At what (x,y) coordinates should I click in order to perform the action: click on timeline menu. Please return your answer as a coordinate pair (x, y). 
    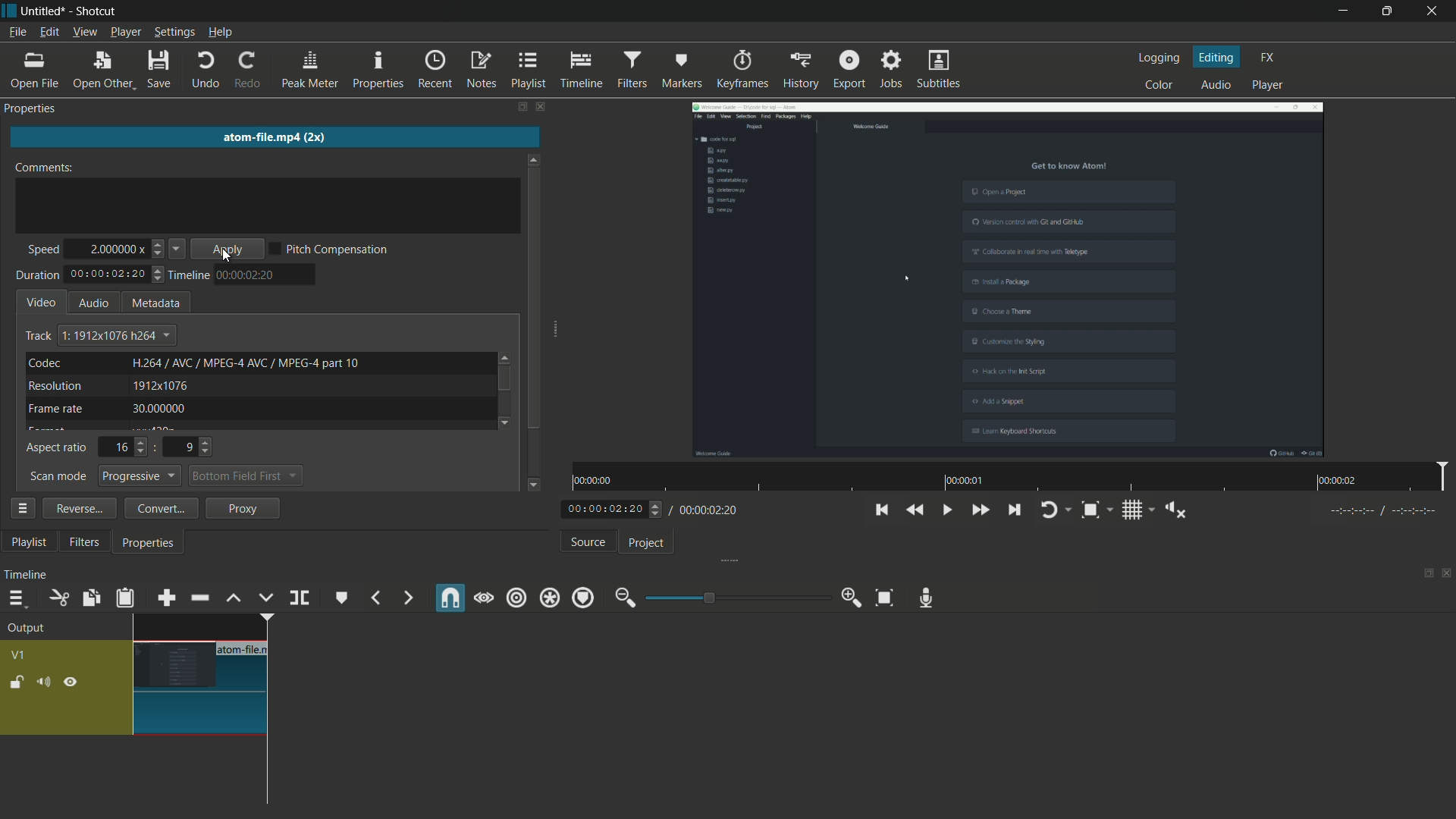
    Looking at the image, I should click on (20, 599).